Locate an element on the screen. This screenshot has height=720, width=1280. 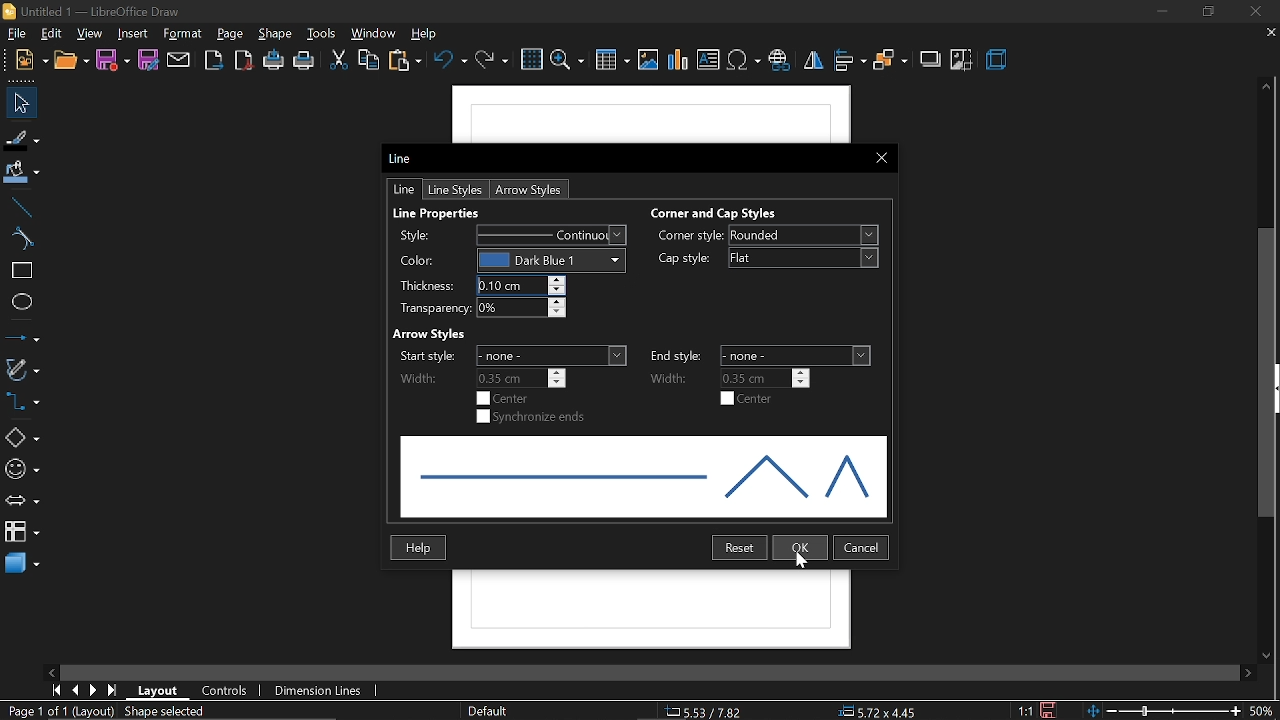
cap style is located at coordinates (683, 259).